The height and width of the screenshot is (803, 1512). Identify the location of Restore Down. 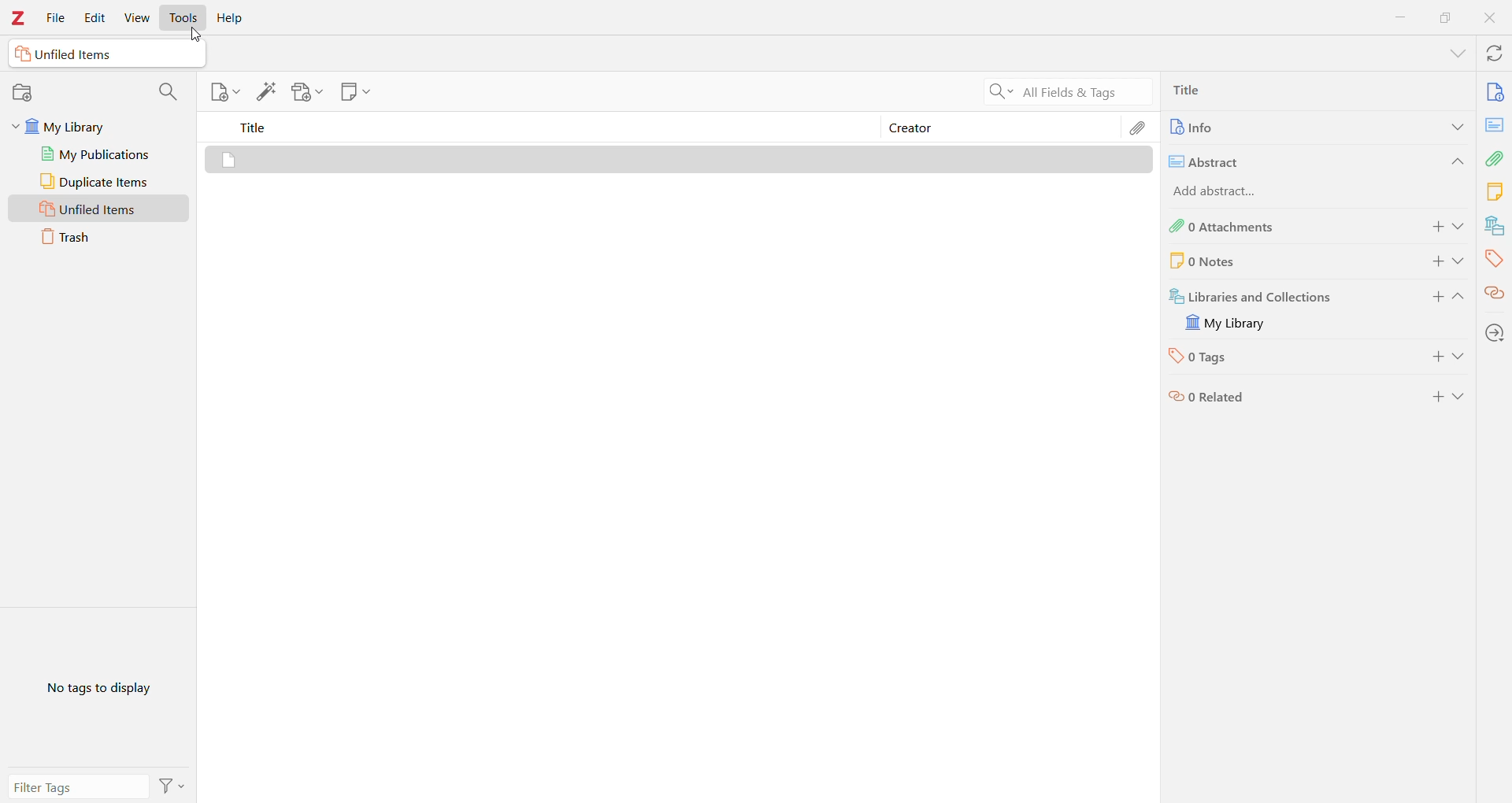
(1447, 14).